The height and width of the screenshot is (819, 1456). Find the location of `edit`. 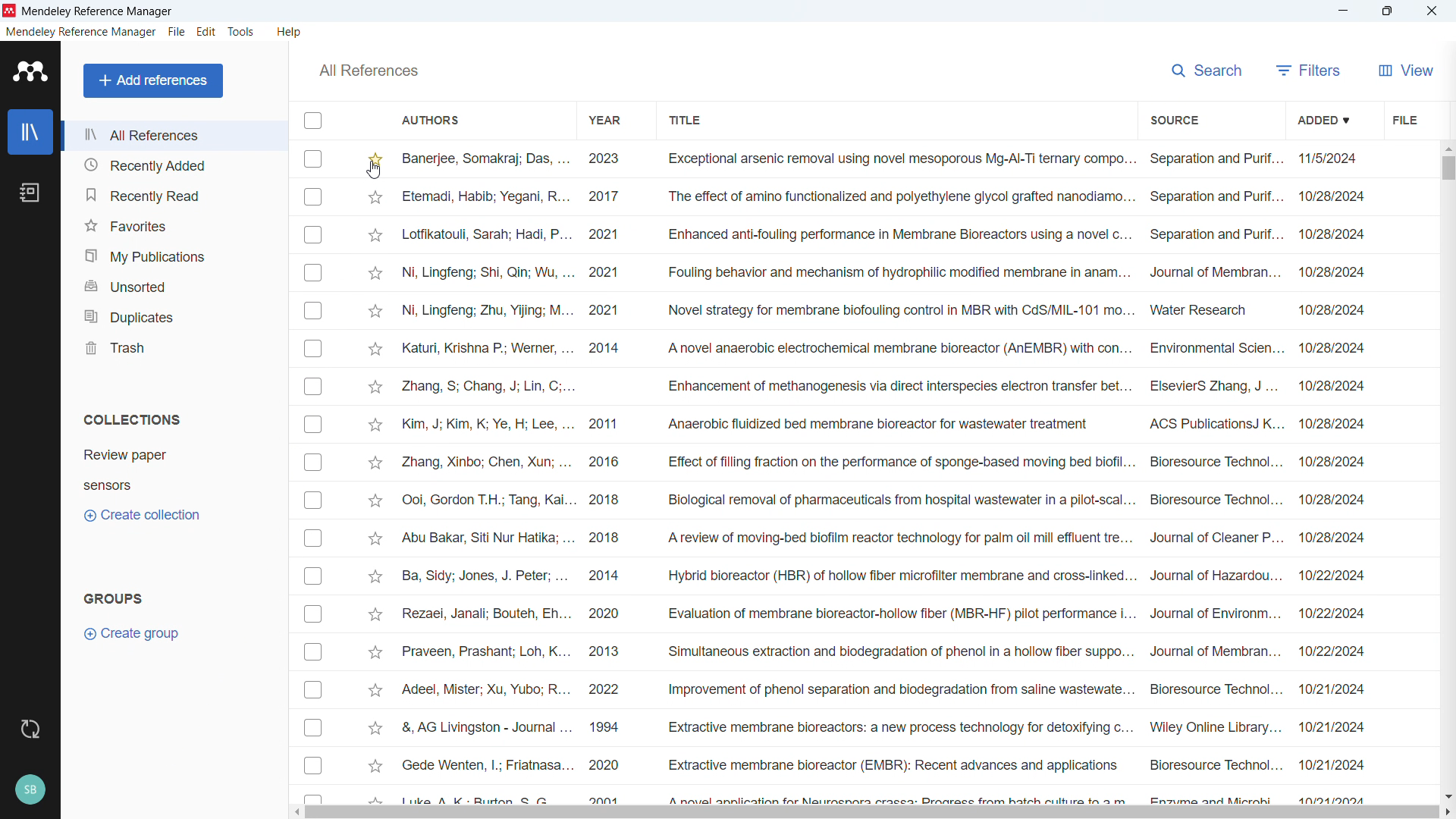

edit is located at coordinates (207, 32).